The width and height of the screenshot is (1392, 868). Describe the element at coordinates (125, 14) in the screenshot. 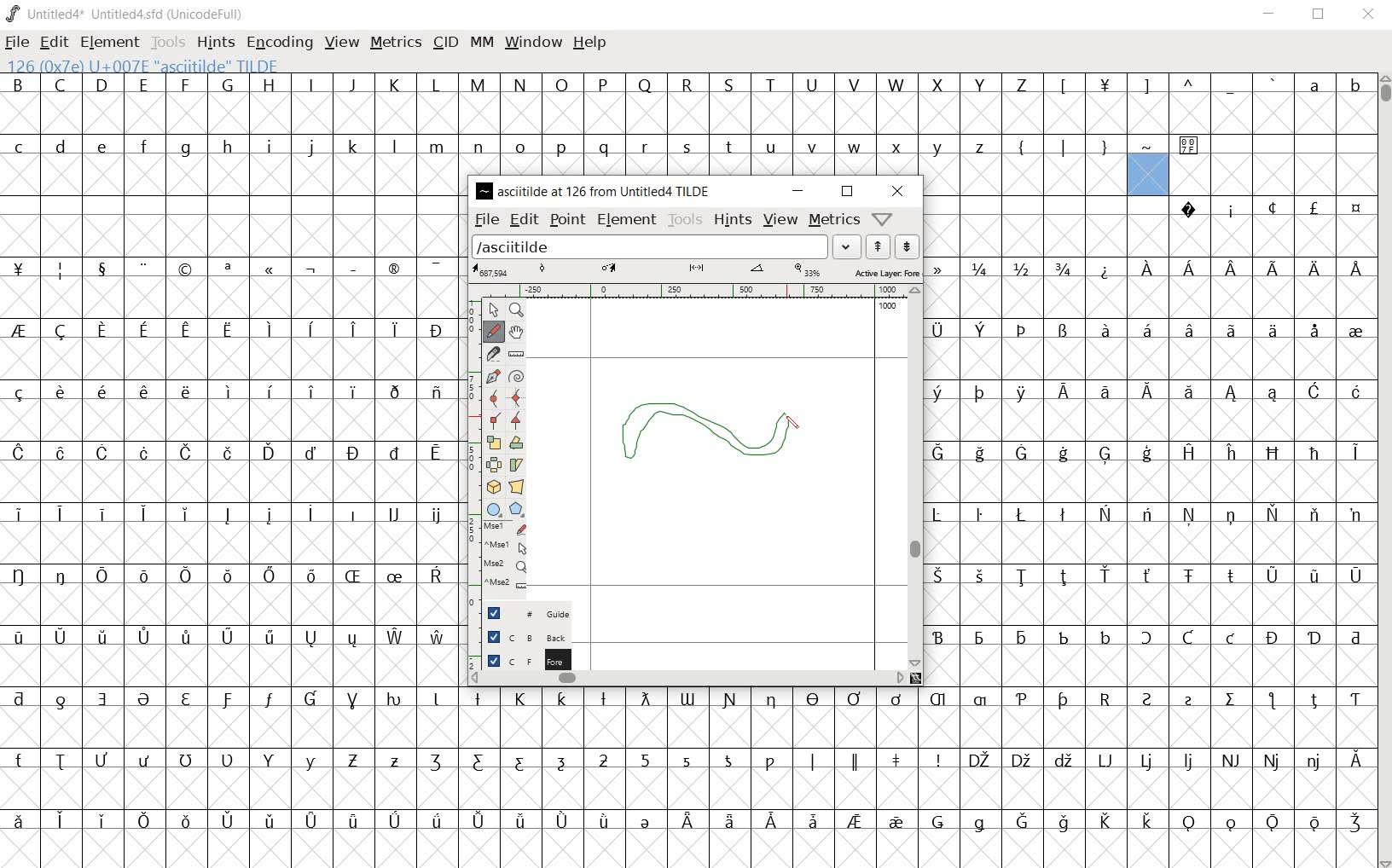

I see `Untitled4* Untitled4.sfd (UnicodeFull)` at that location.